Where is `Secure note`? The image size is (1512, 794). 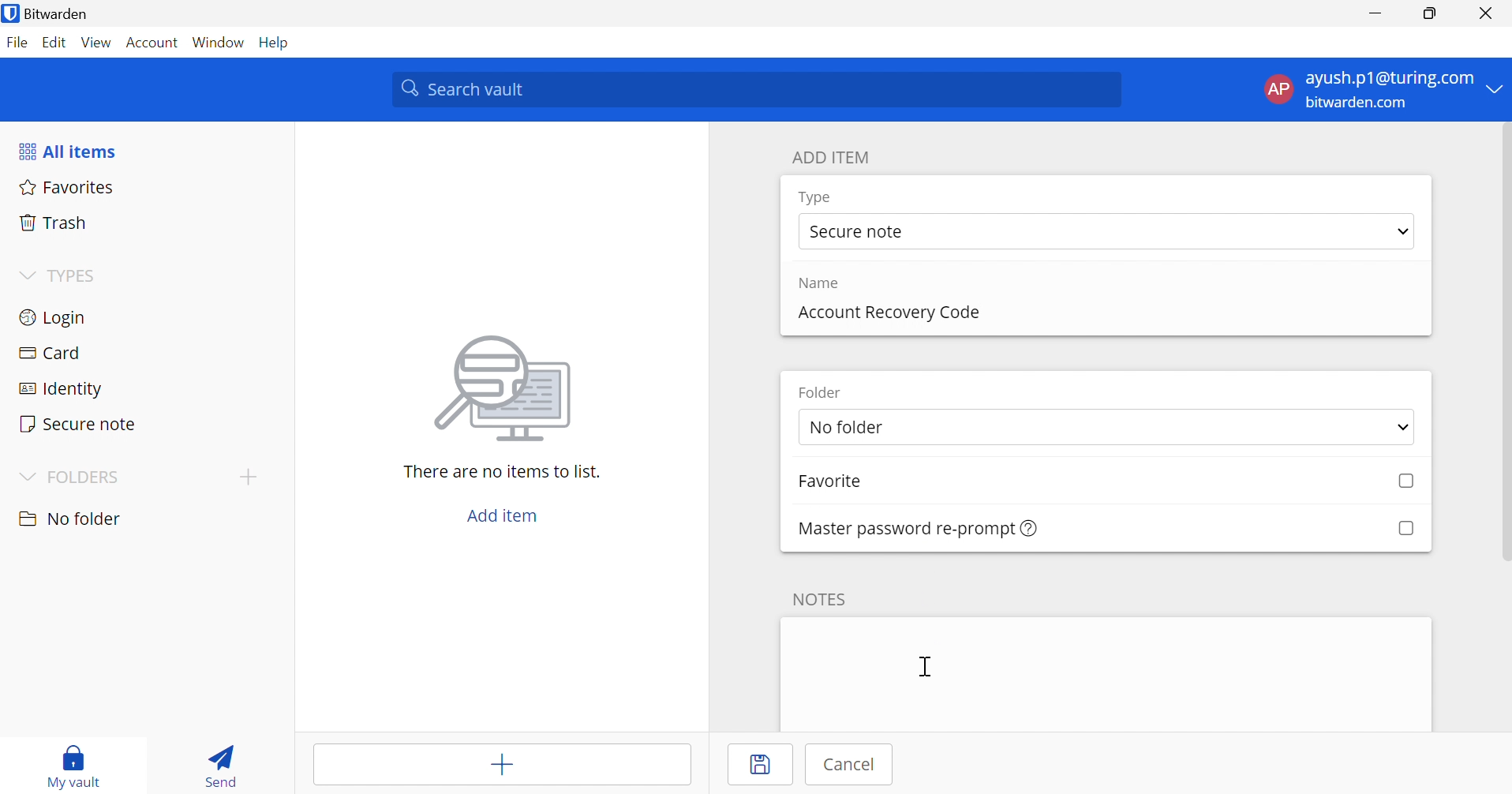 Secure note is located at coordinates (860, 233).